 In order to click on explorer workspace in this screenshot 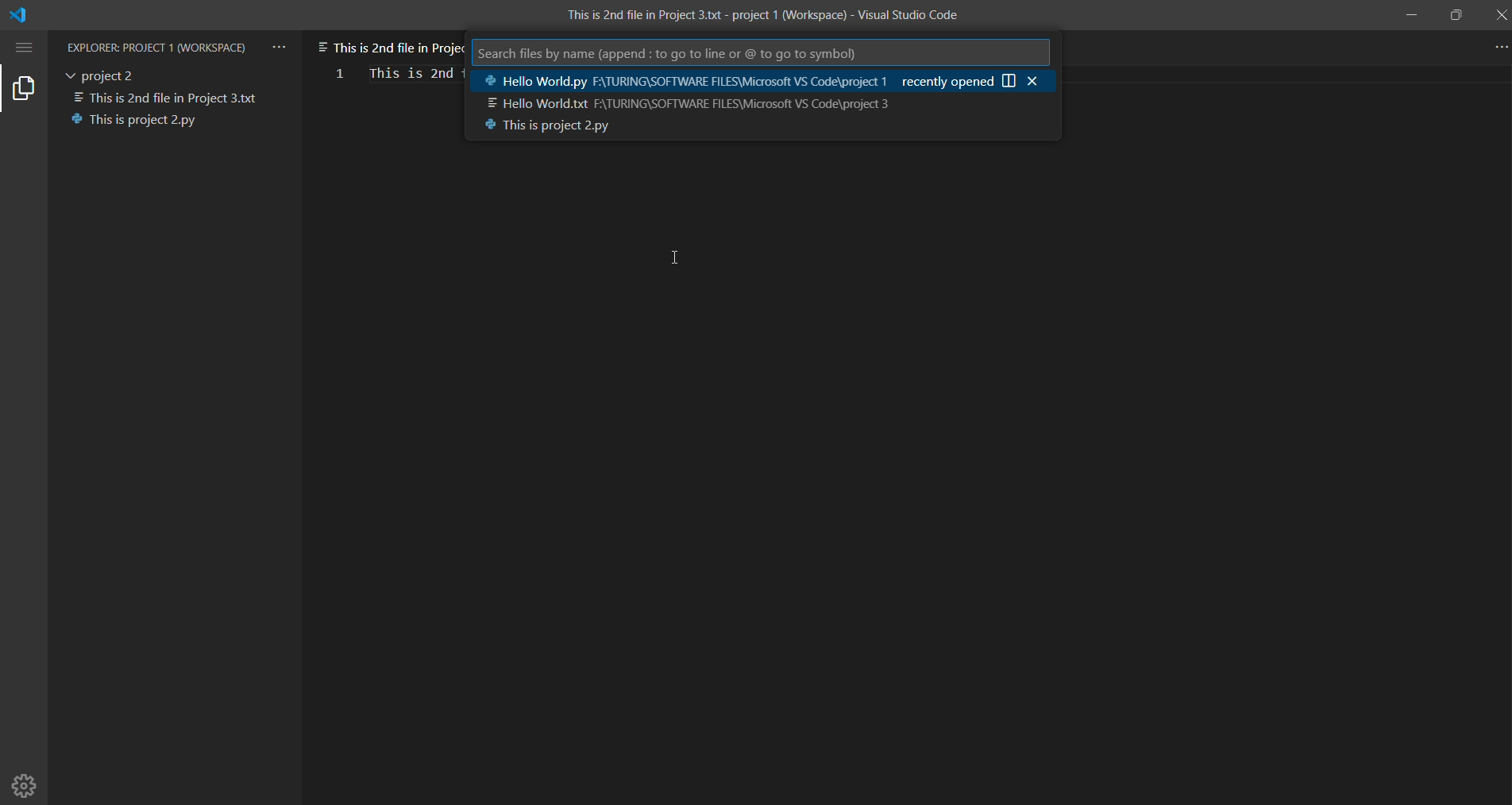, I will do `click(158, 45)`.